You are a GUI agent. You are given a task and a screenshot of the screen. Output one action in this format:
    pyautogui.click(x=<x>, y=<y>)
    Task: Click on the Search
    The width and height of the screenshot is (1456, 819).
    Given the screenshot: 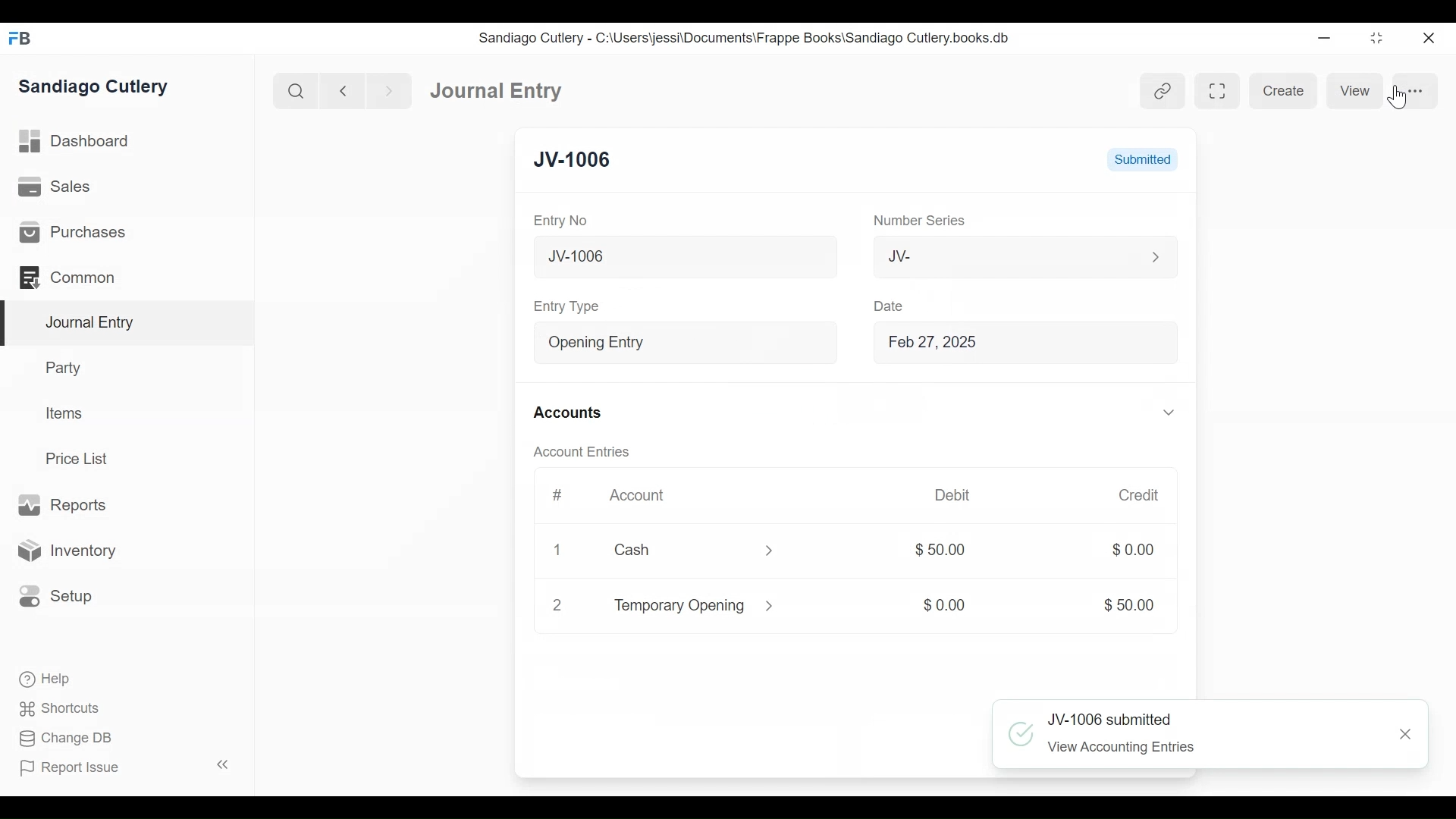 What is the action you would take?
    pyautogui.click(x=294, y=90)
    